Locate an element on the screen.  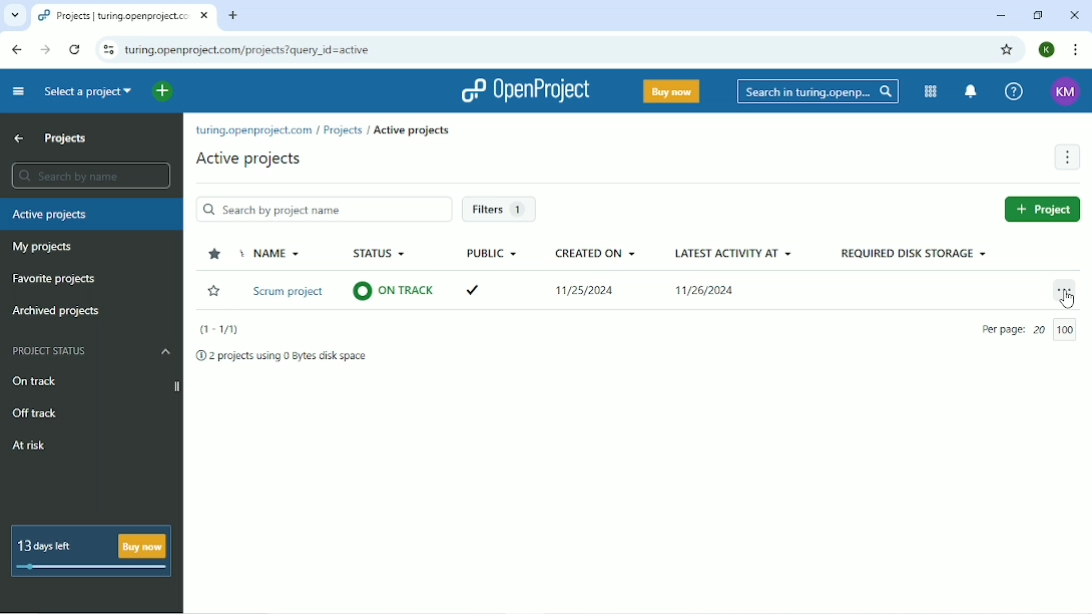
Sort by favorite is located at coordinates (216, 254).